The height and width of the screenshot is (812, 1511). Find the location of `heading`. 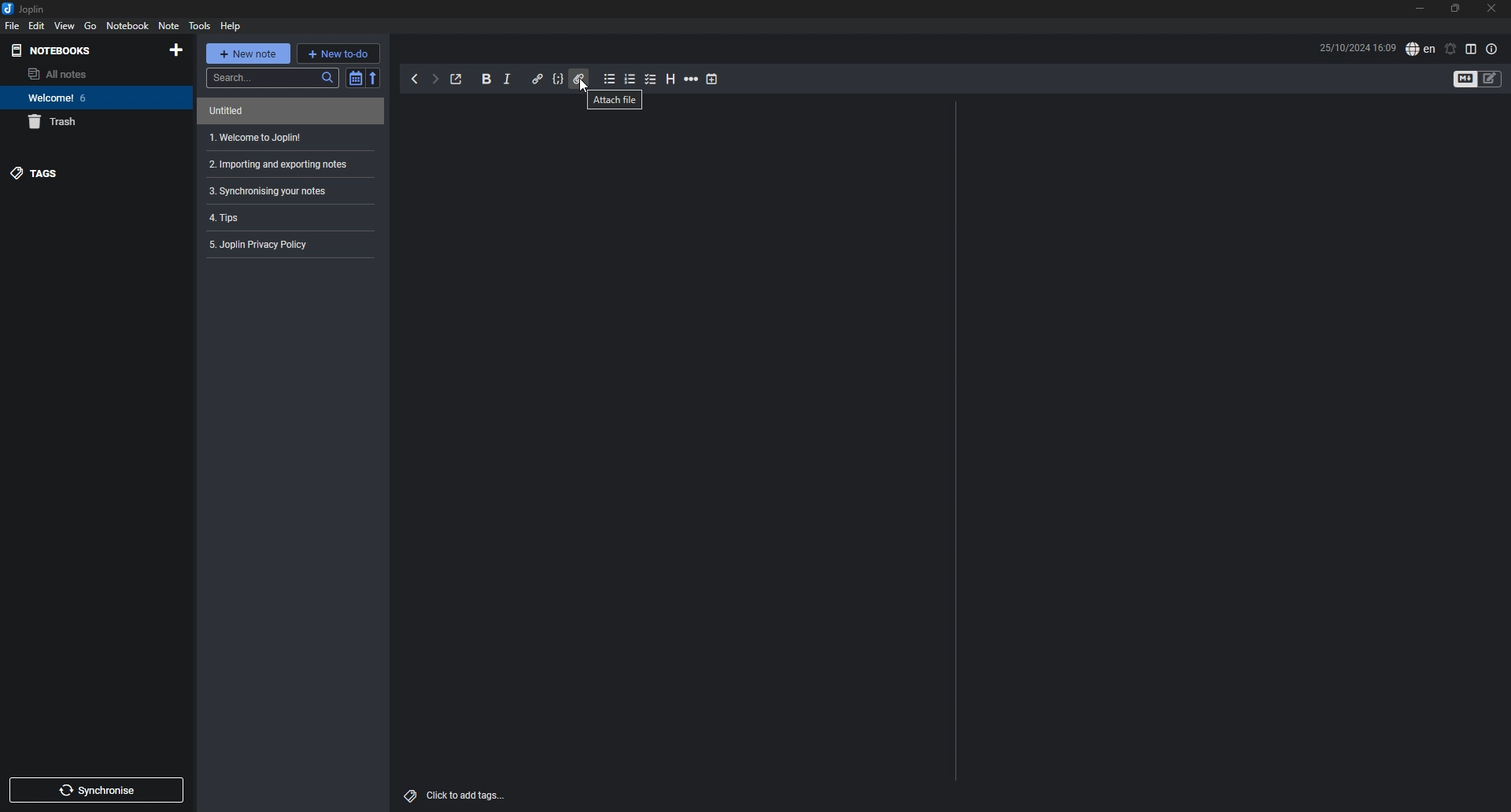

heading is located at coordinates (671, 79).